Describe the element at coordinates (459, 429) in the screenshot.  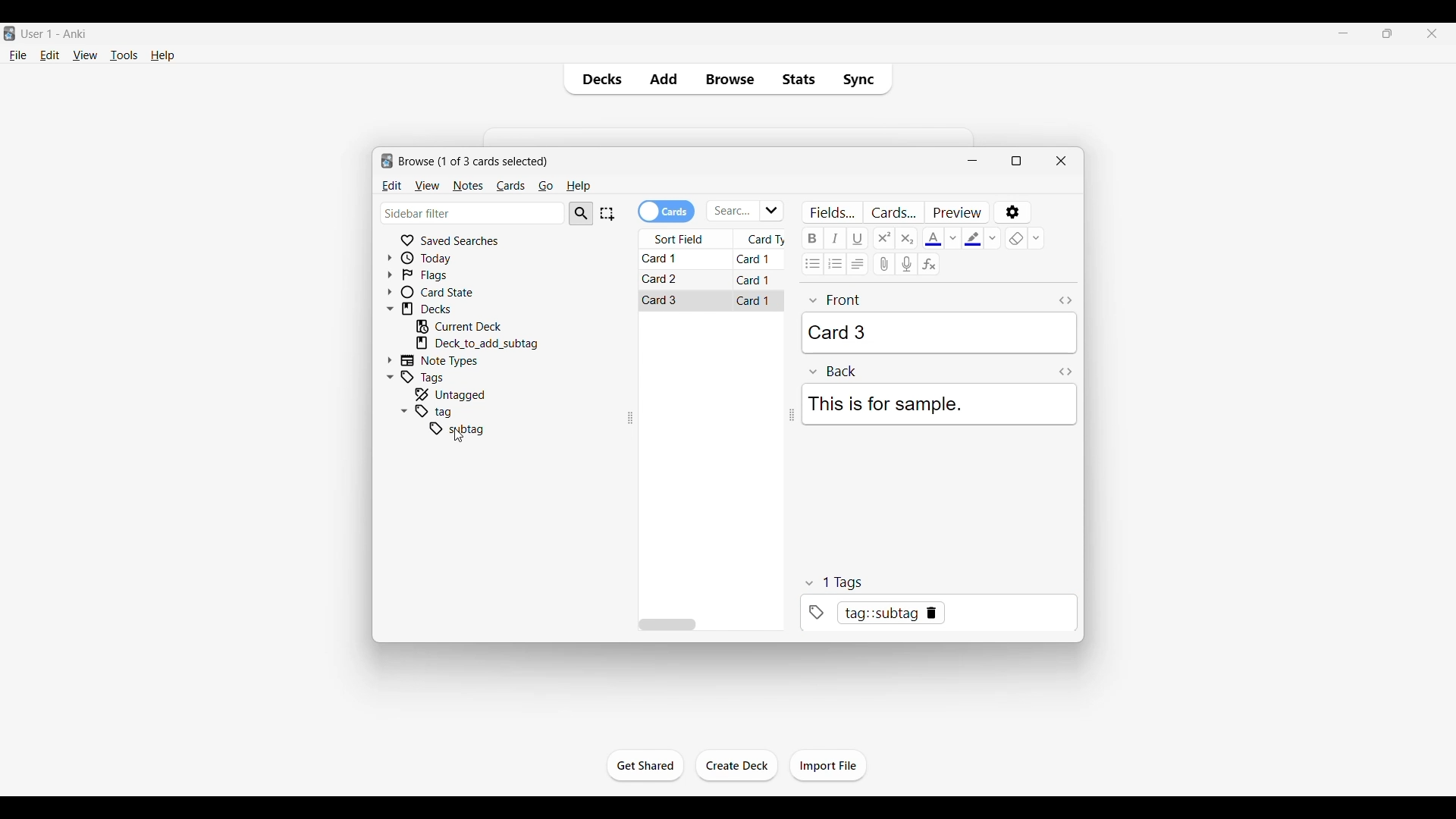
I see `subtag` at that location.